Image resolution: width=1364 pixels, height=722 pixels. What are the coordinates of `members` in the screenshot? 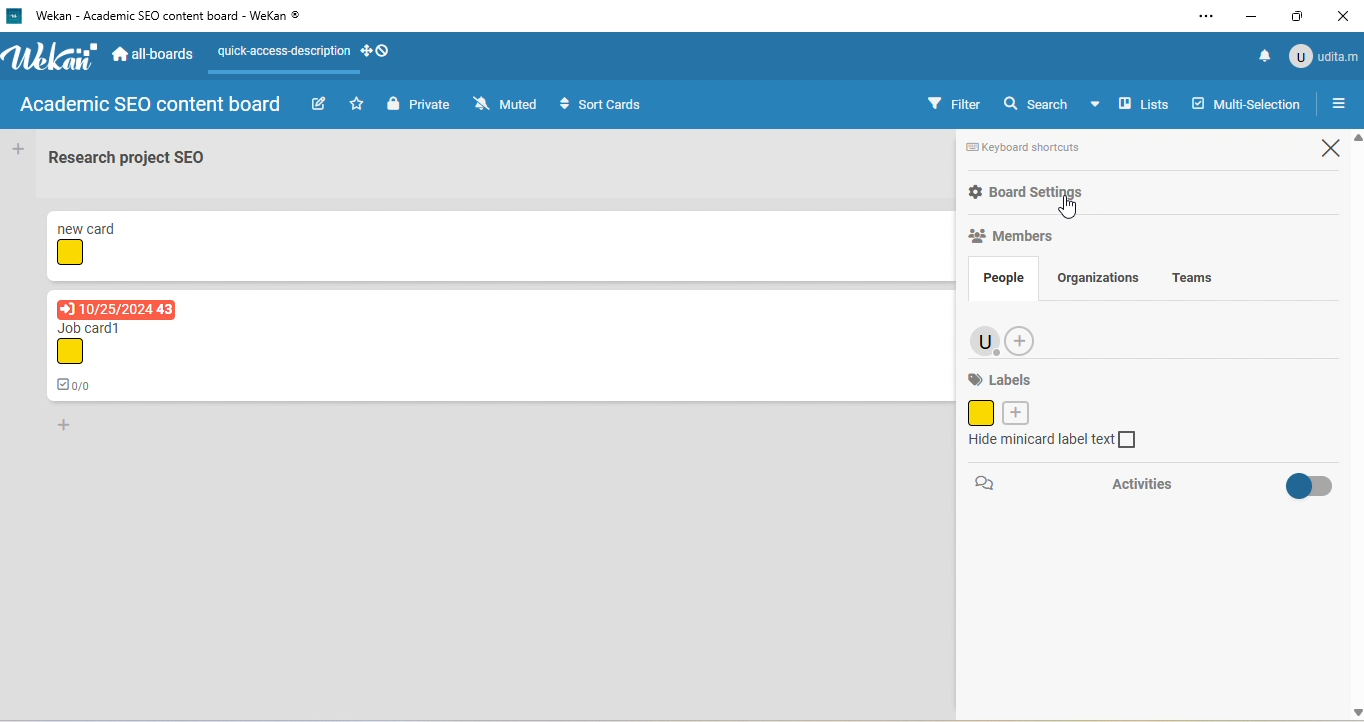 It's located at (1022, 239).